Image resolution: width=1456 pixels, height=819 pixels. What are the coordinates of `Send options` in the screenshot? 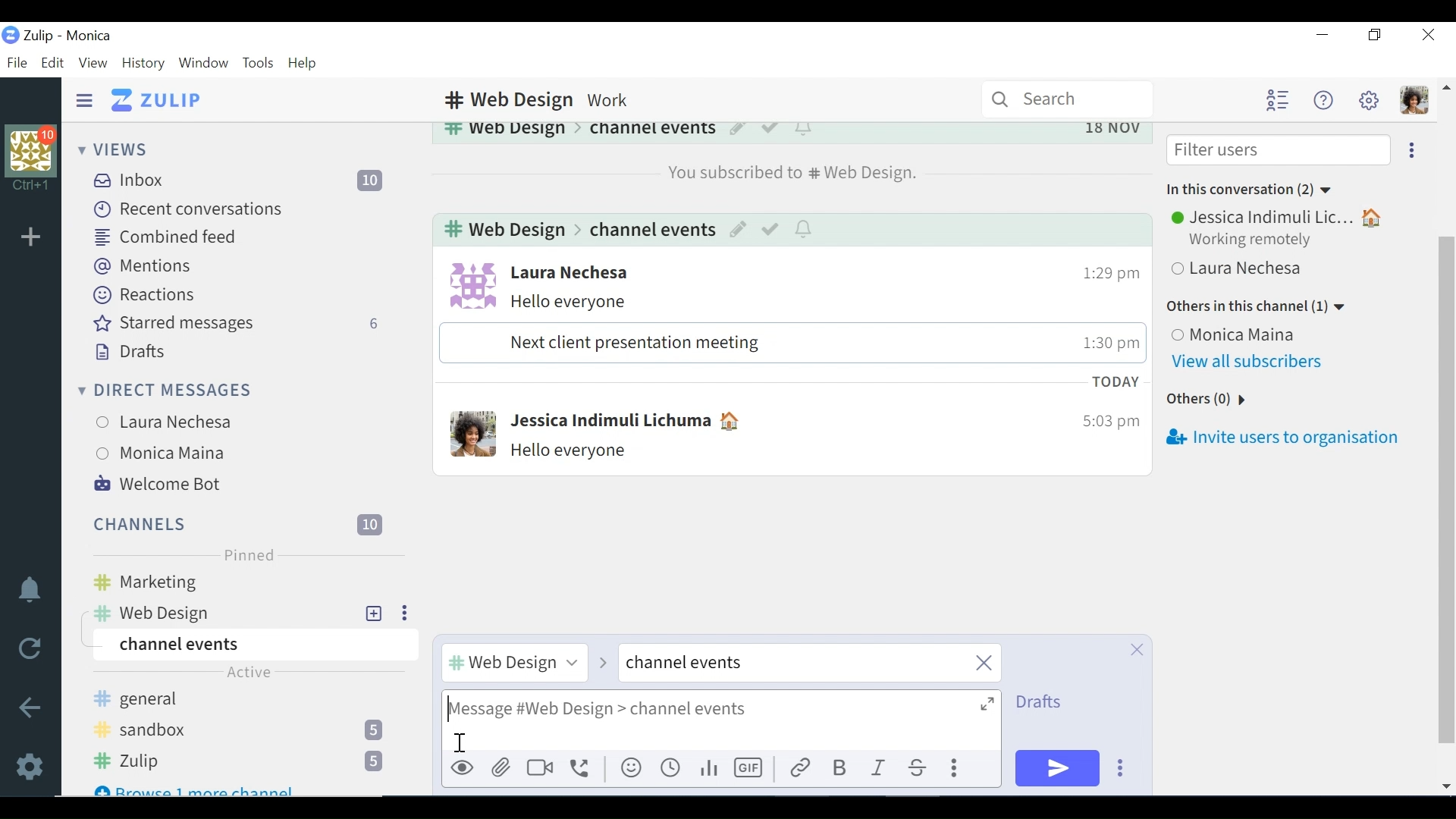 It's located at (1121, 768).